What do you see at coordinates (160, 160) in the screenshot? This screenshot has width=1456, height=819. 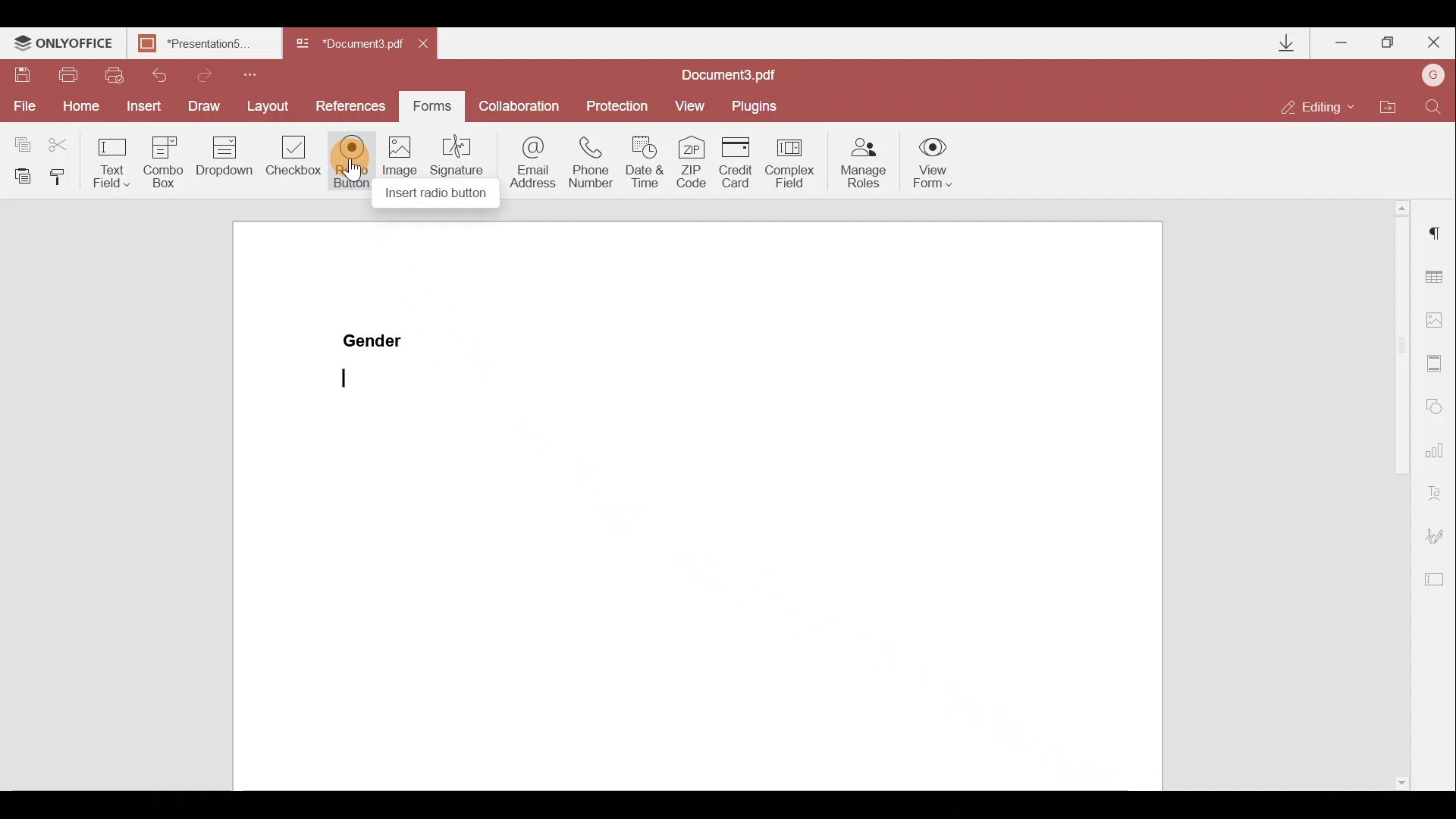 I see `Combo box` at bounding box center [160, 160].